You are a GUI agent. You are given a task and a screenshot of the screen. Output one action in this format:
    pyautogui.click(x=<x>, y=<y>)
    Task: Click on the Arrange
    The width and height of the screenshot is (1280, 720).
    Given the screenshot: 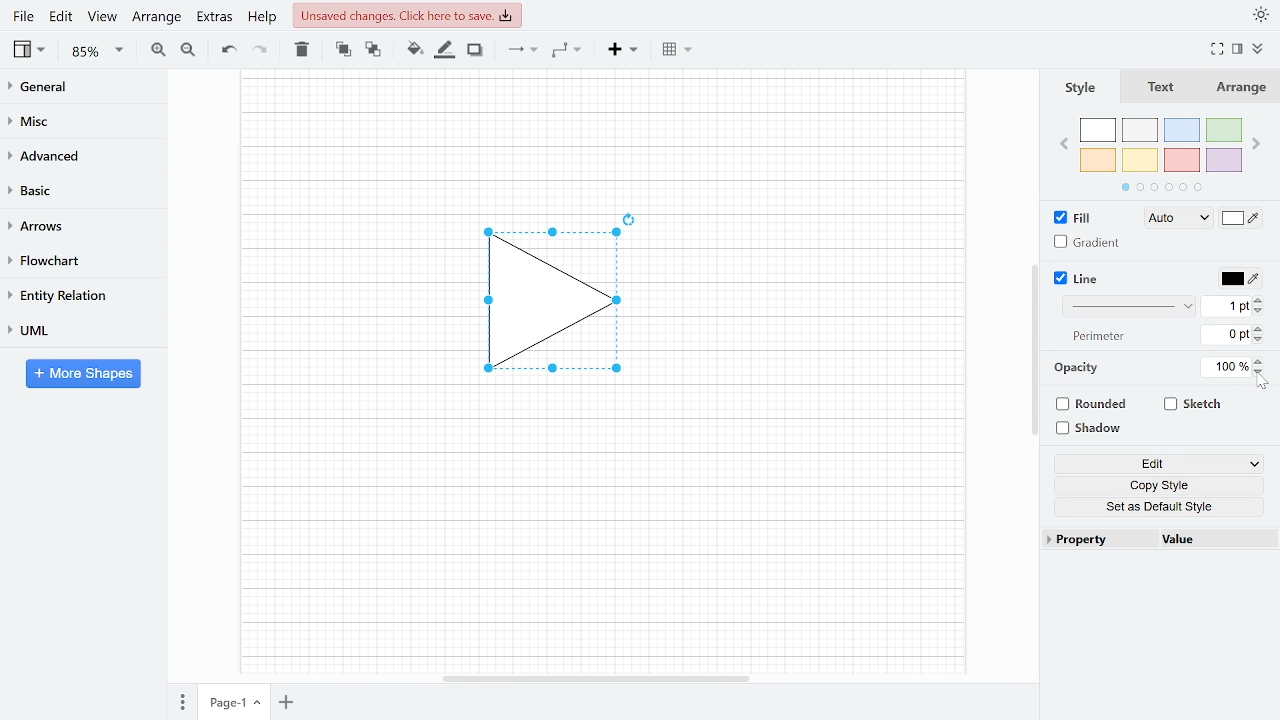 What is the action you would take?
    pyautogui.click(x=1239, y=87)
    